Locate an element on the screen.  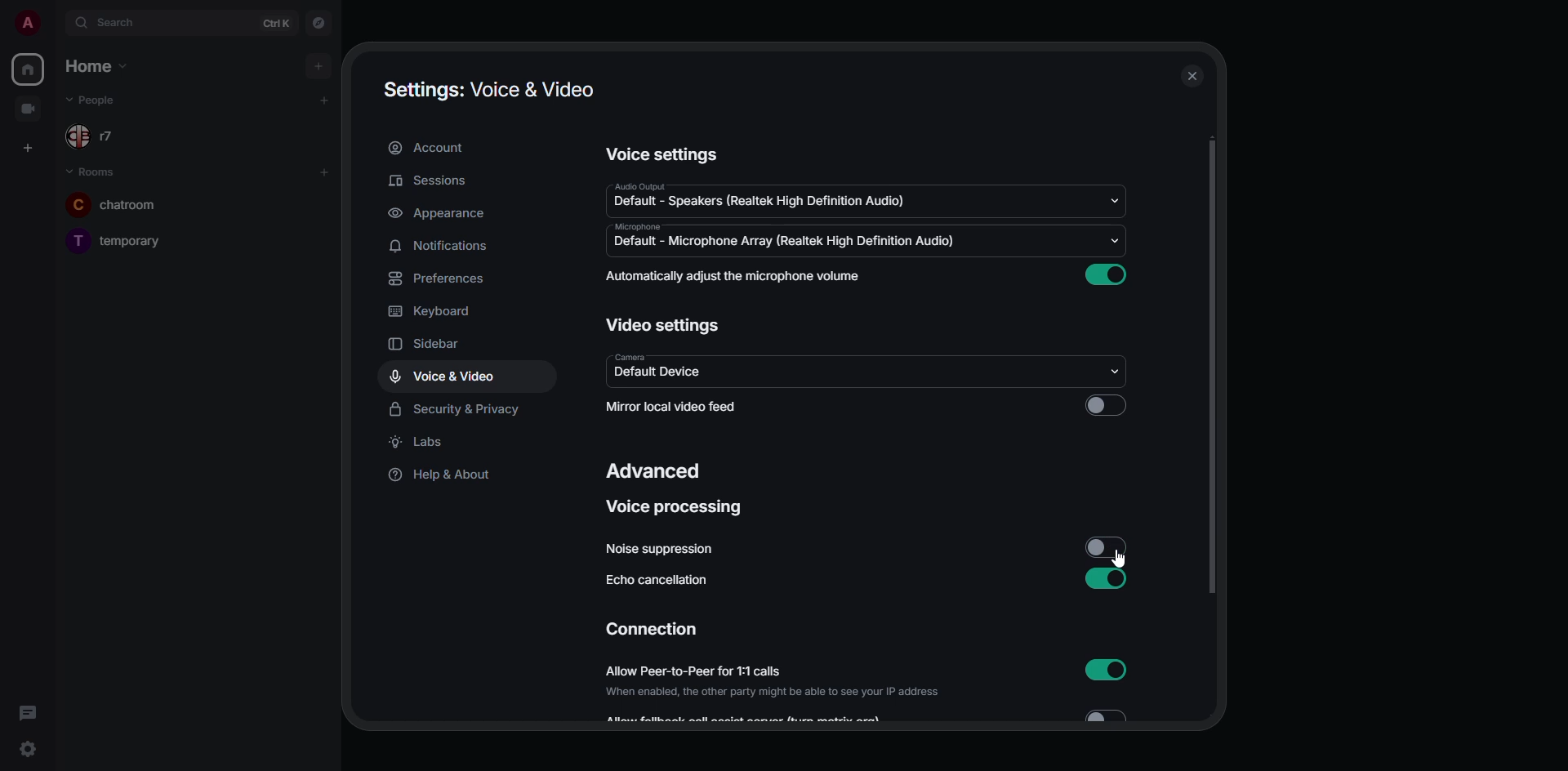
threads is located at coordinates (28, 711).